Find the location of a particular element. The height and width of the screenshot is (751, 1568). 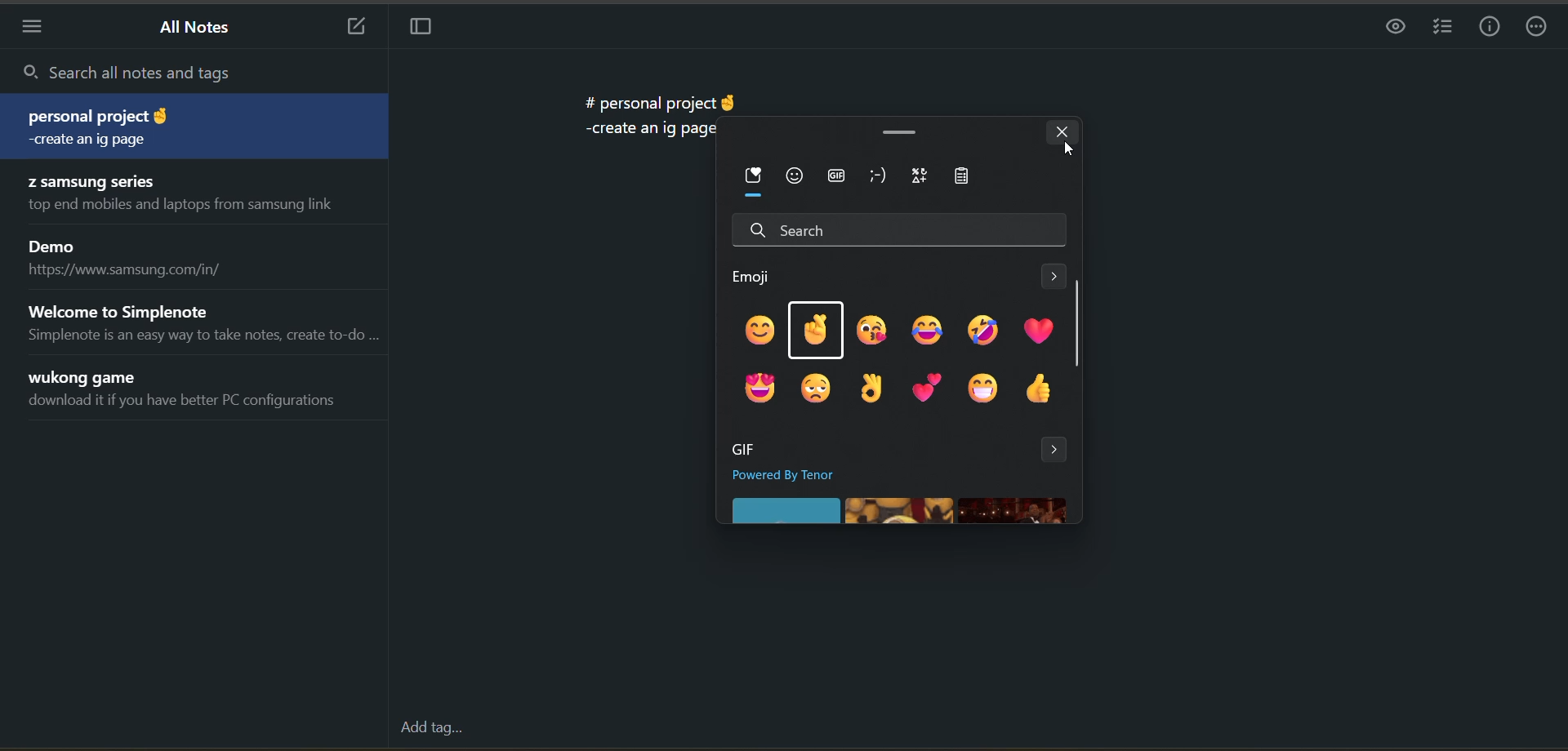

menu is located at coordinates (29, 29).